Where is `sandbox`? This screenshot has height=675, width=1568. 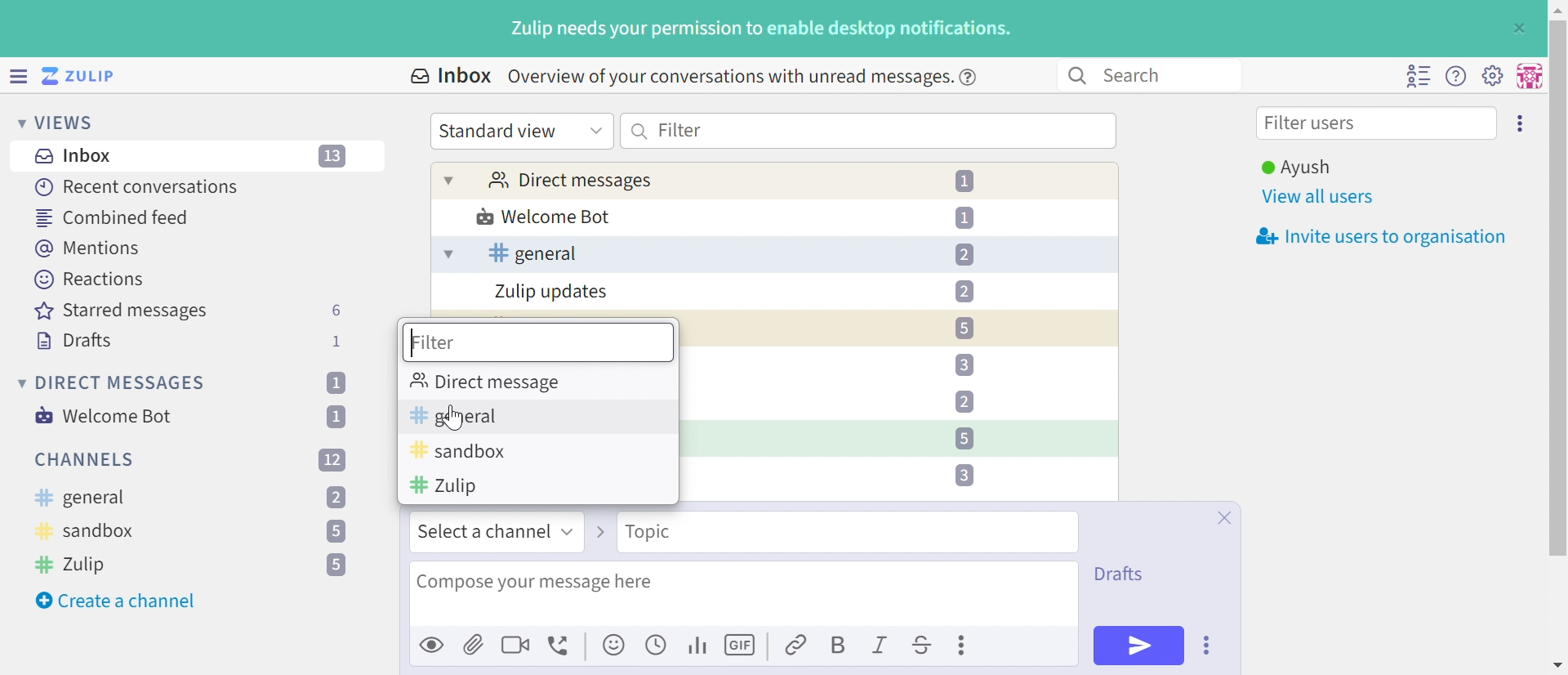
sandbox is located at coordinates (459, 452).